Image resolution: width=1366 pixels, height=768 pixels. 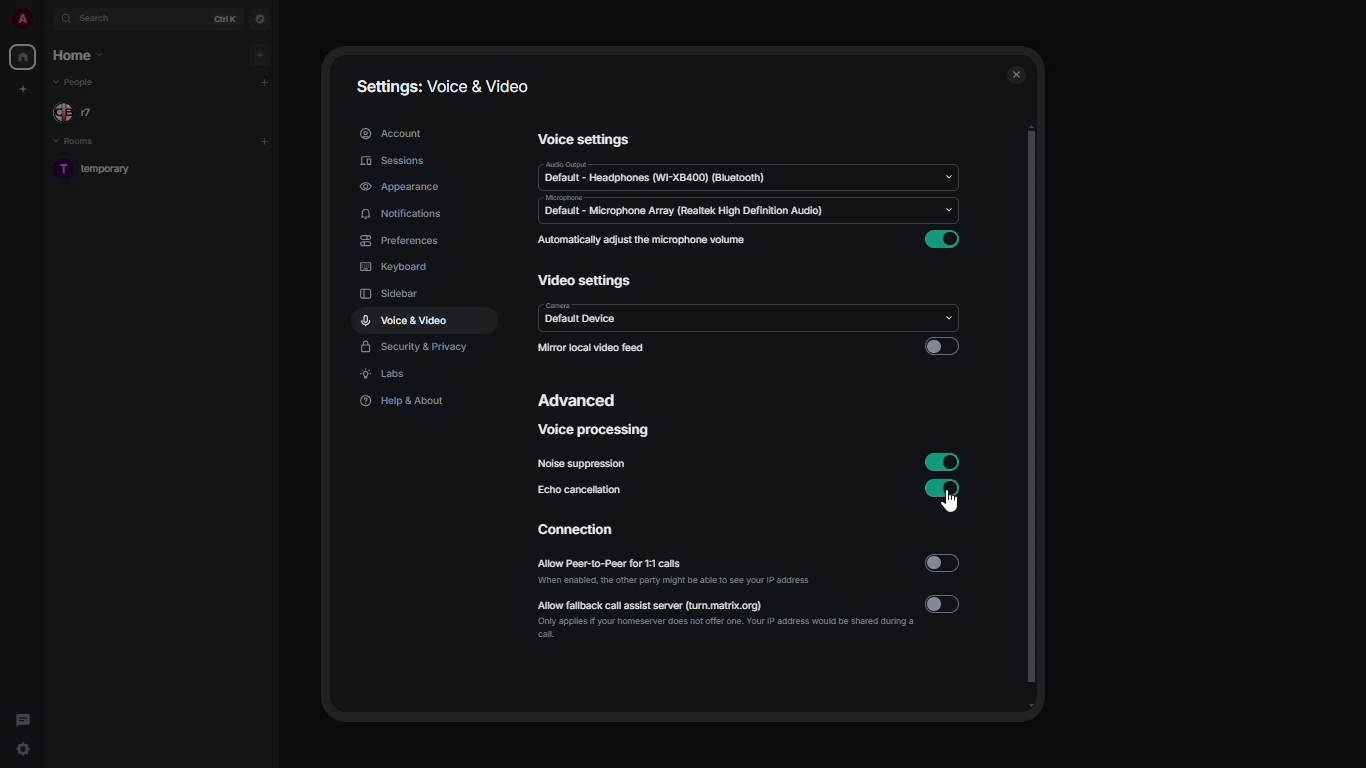 I want to click on home, so click(x=23, y=58).